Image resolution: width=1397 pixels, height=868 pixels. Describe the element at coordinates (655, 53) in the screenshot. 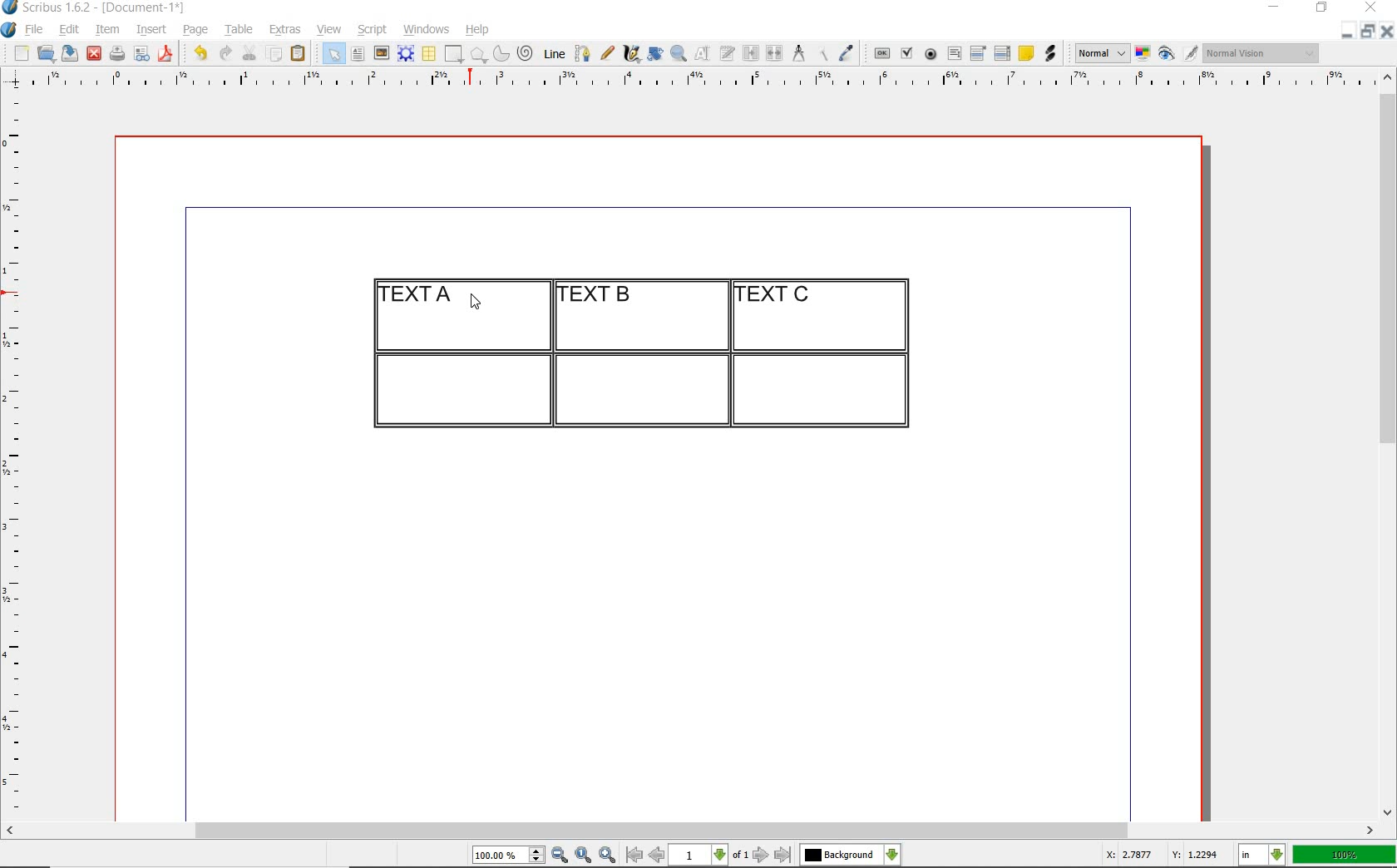

I see `rotate item` at that location.